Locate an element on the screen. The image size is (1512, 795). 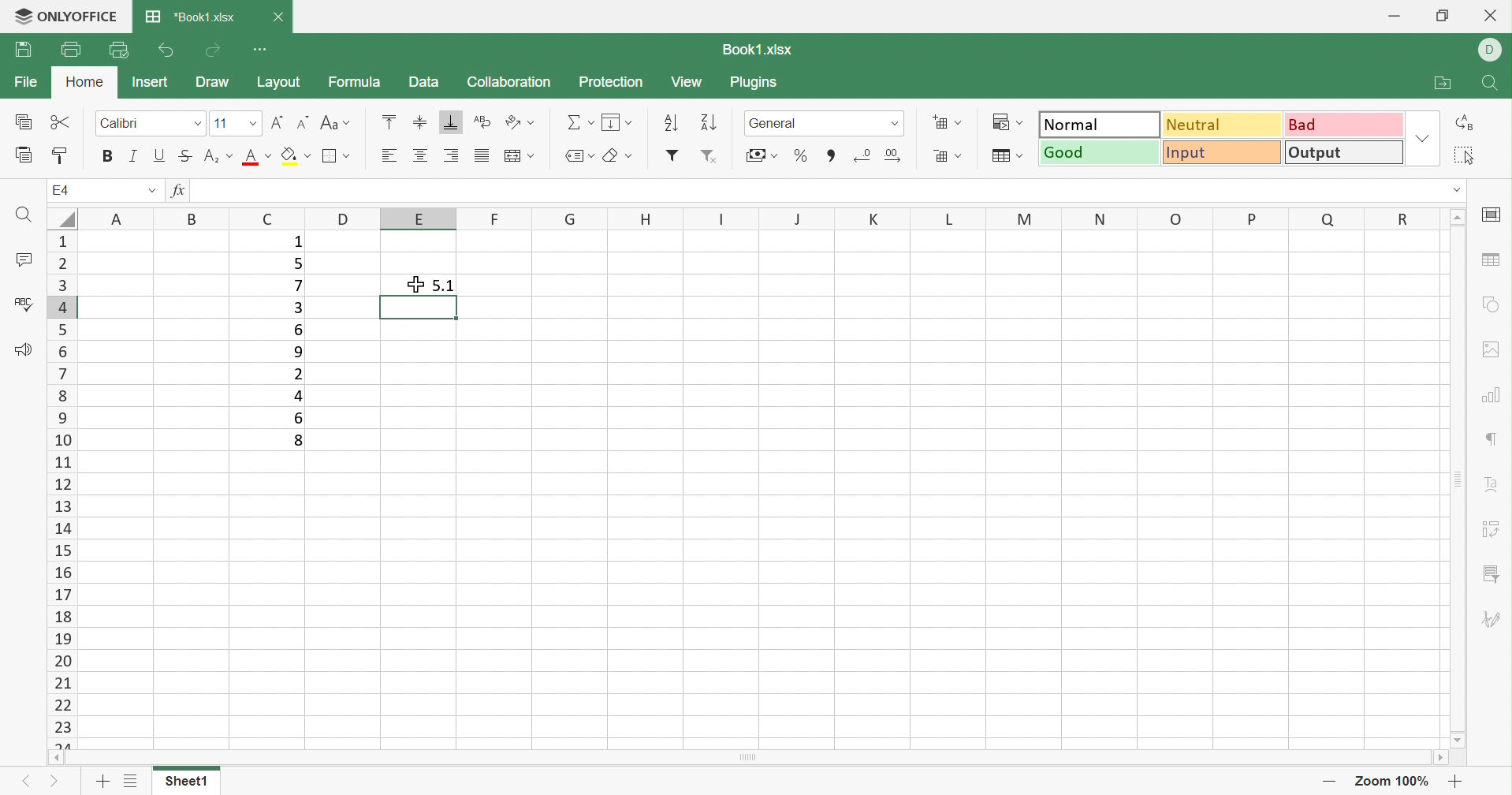
Strikethrough is located at coordinates (188, 157).